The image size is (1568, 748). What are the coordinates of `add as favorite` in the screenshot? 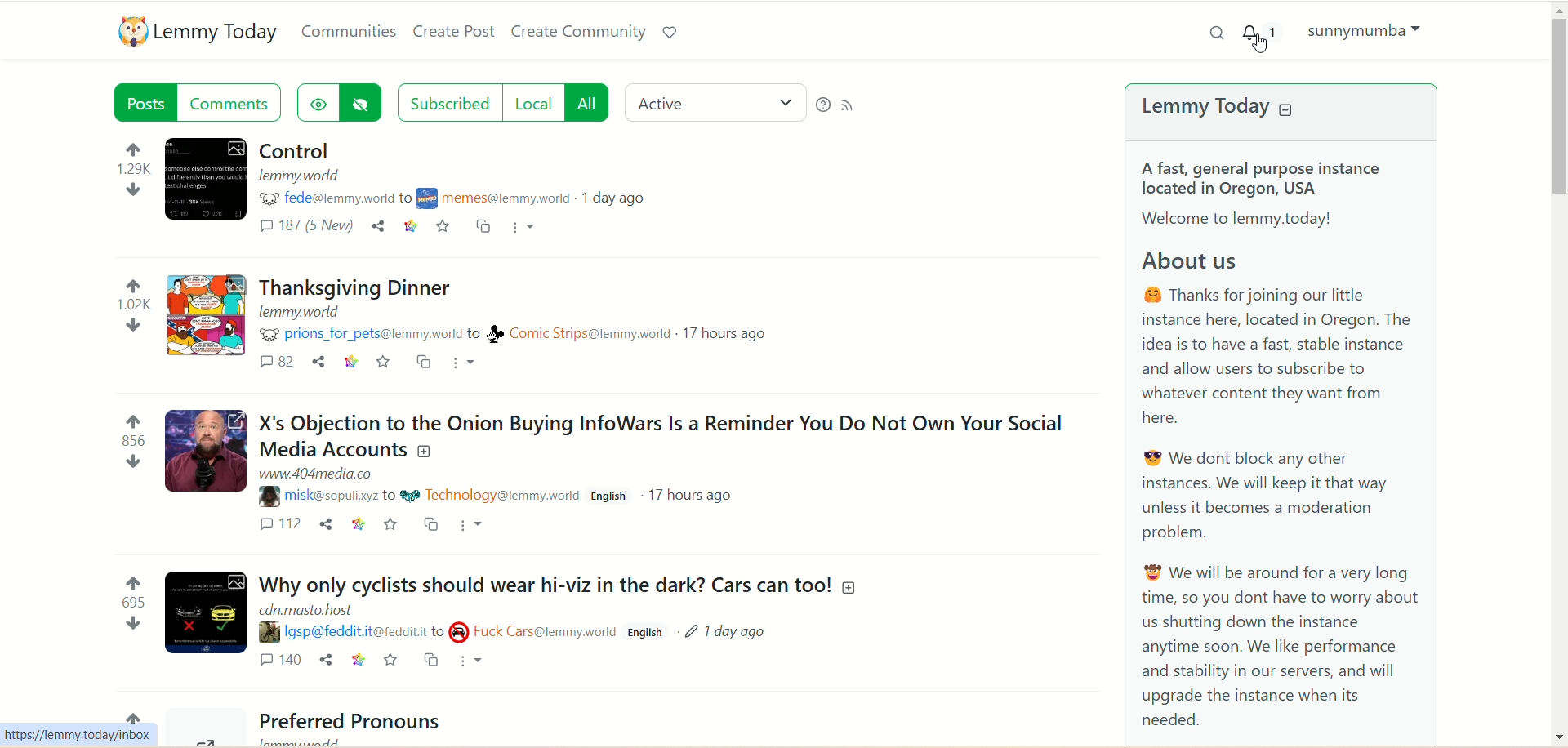 It's located at (384, 363).